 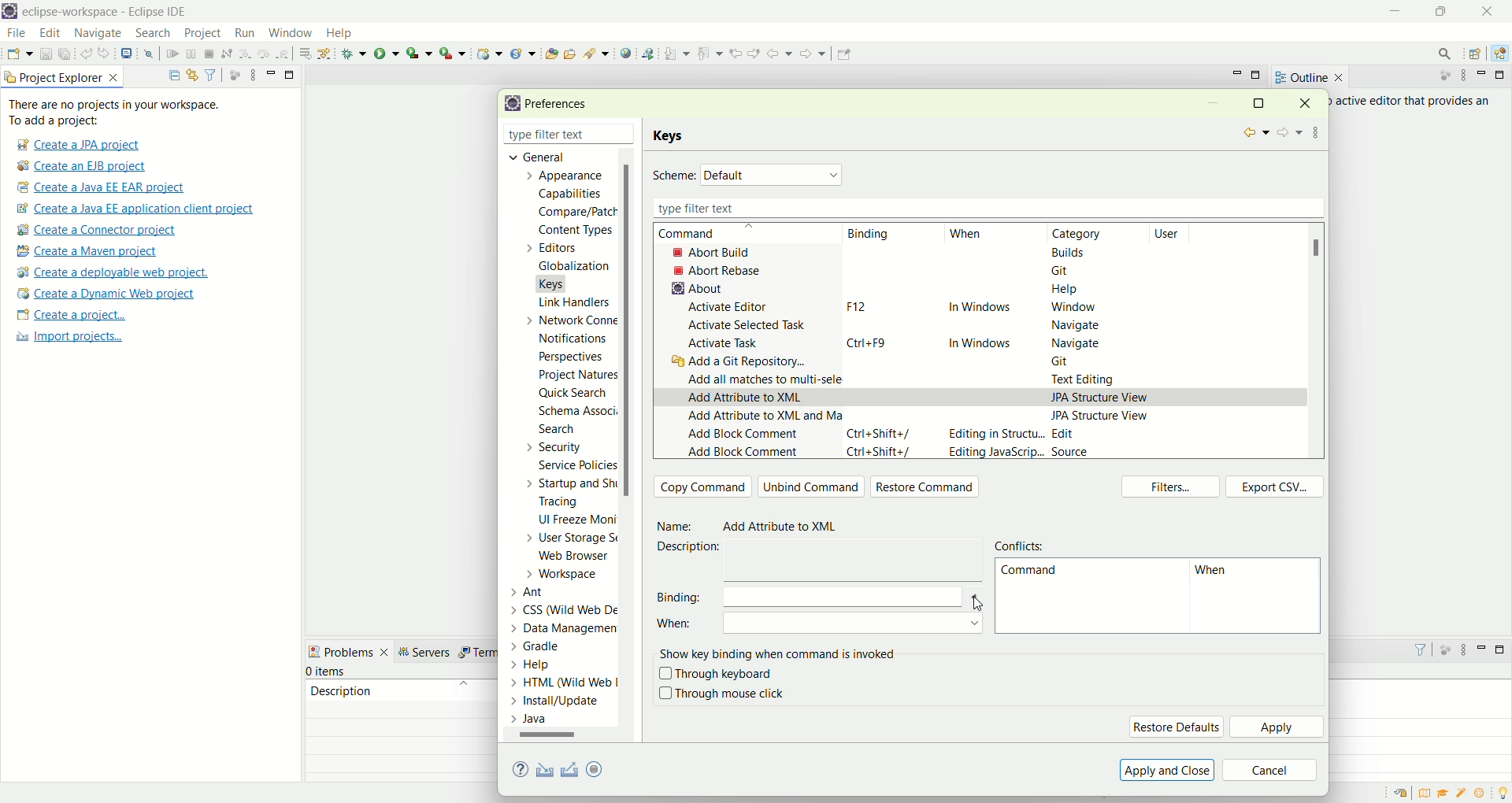 What do you see at coordinates (251, 74) in the screenshot?
I see `view menu` at bounding box center [251, 74].